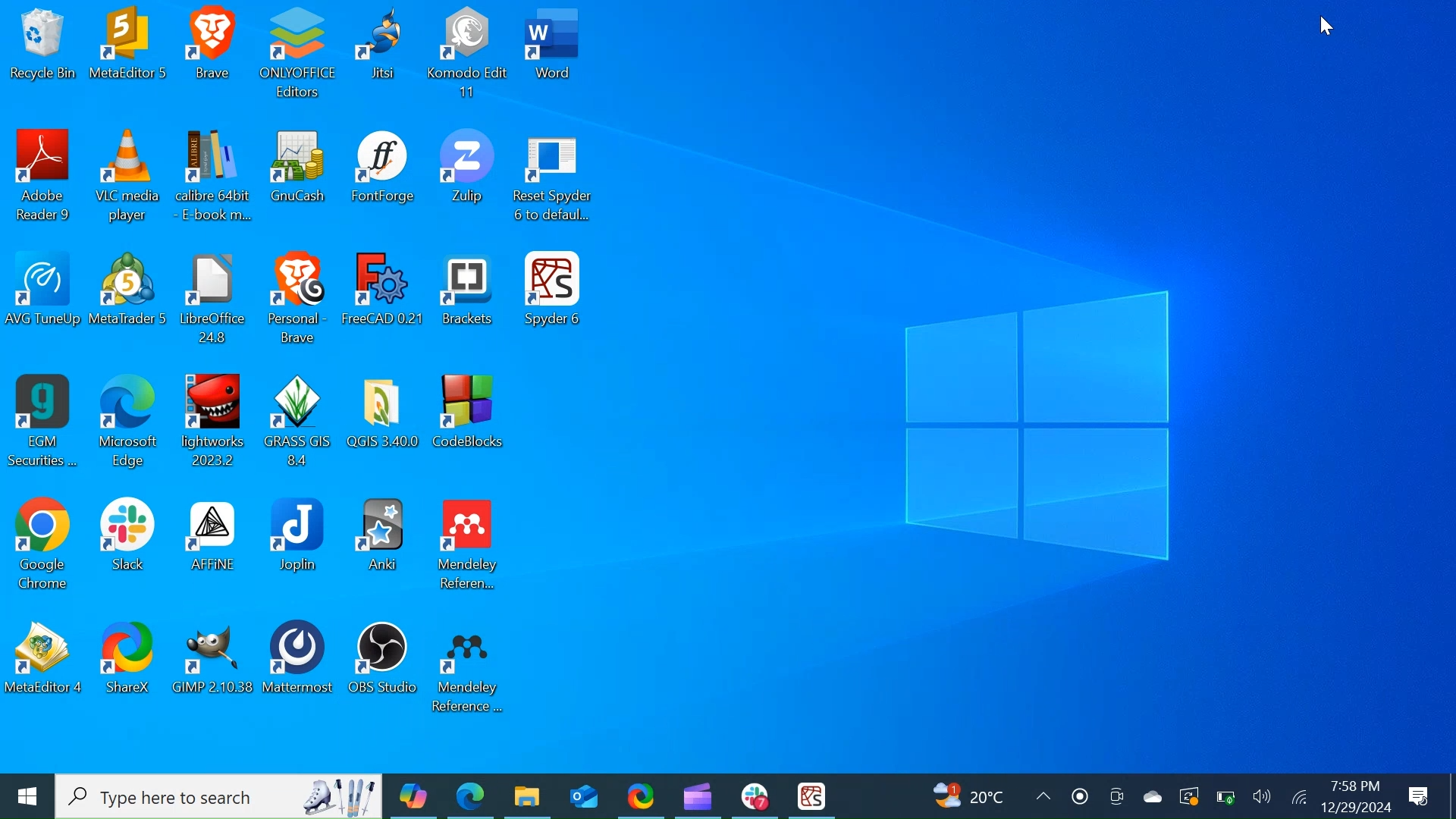 The height and width of the screenshot is (819, 1456). Describe the element at coordinates (216, 423) in the screenshot. I see `lIghtworks Desktop icon` at that location.